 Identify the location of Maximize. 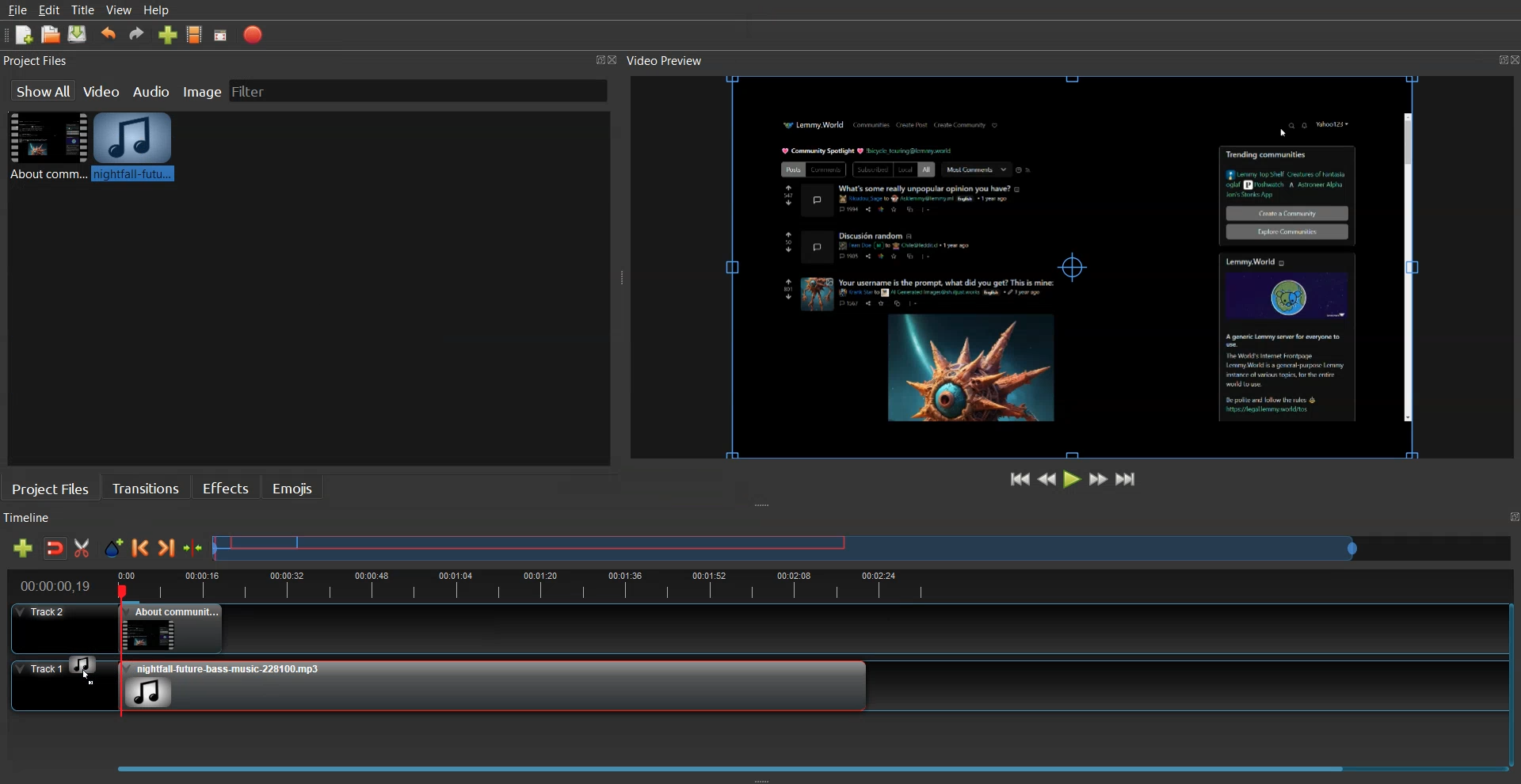
(1492, 57).